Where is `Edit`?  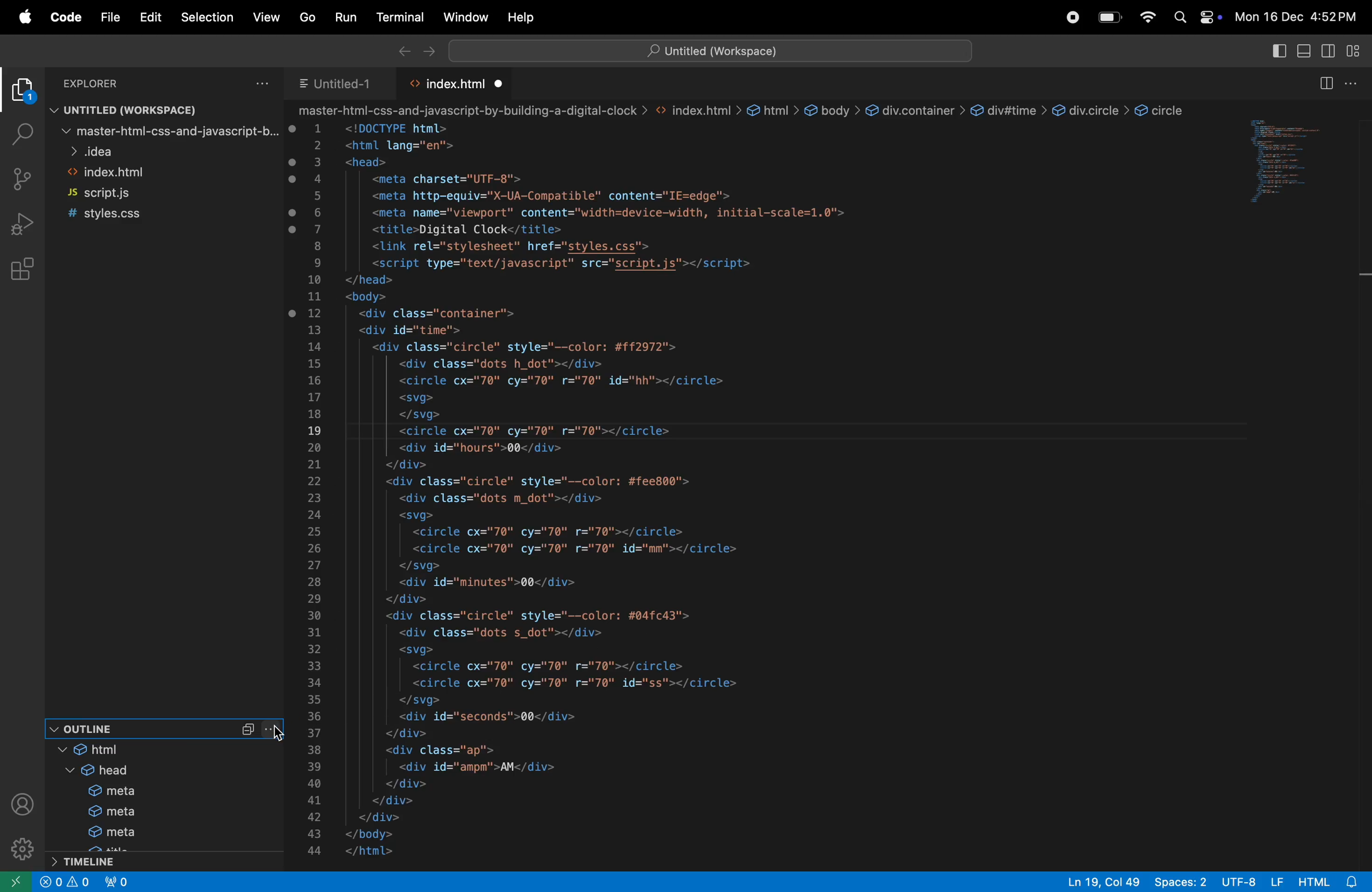 Edit is located at coordinates (144, 17).